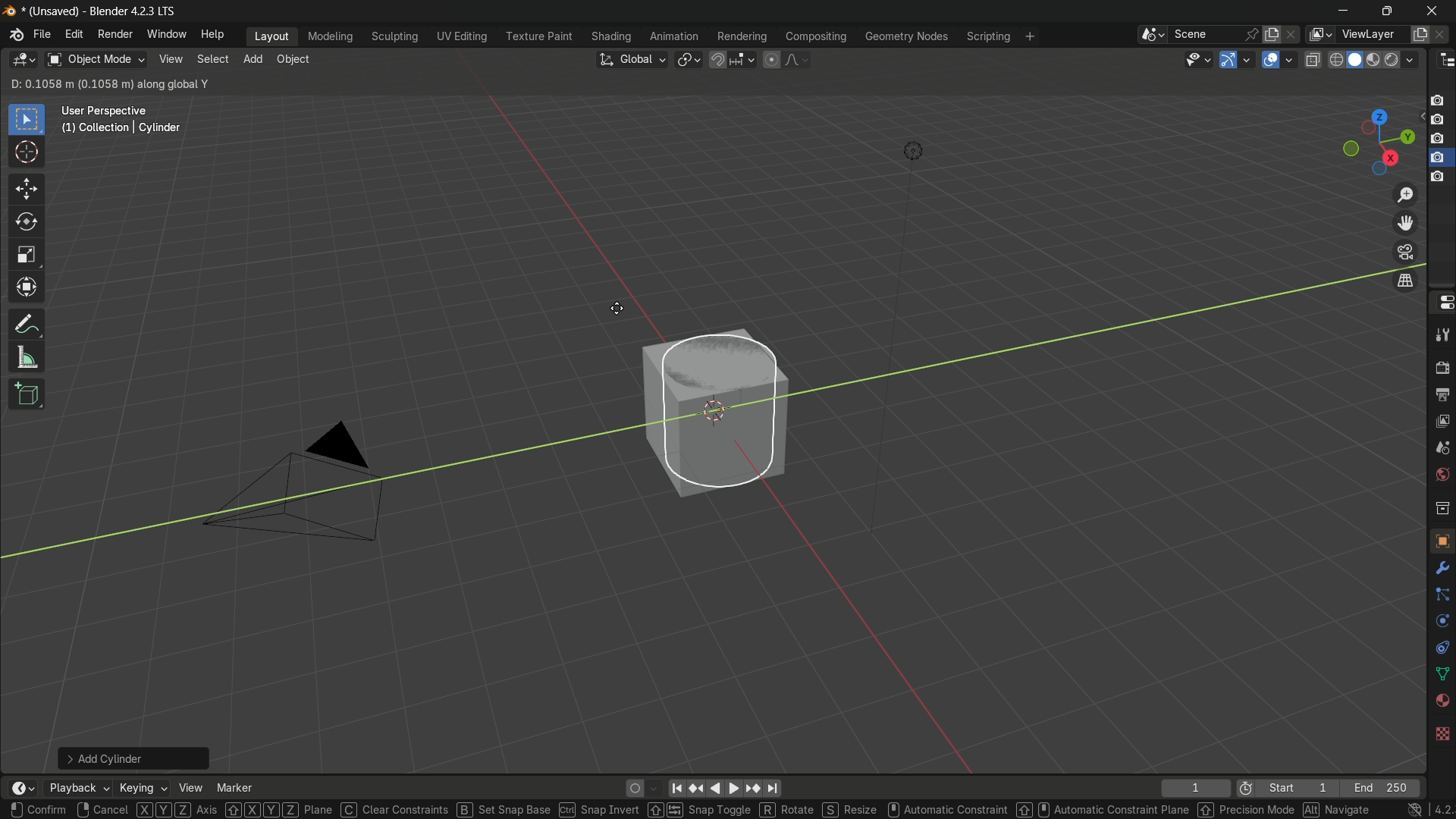  I want to click on rendering menu, so click(742, 37).